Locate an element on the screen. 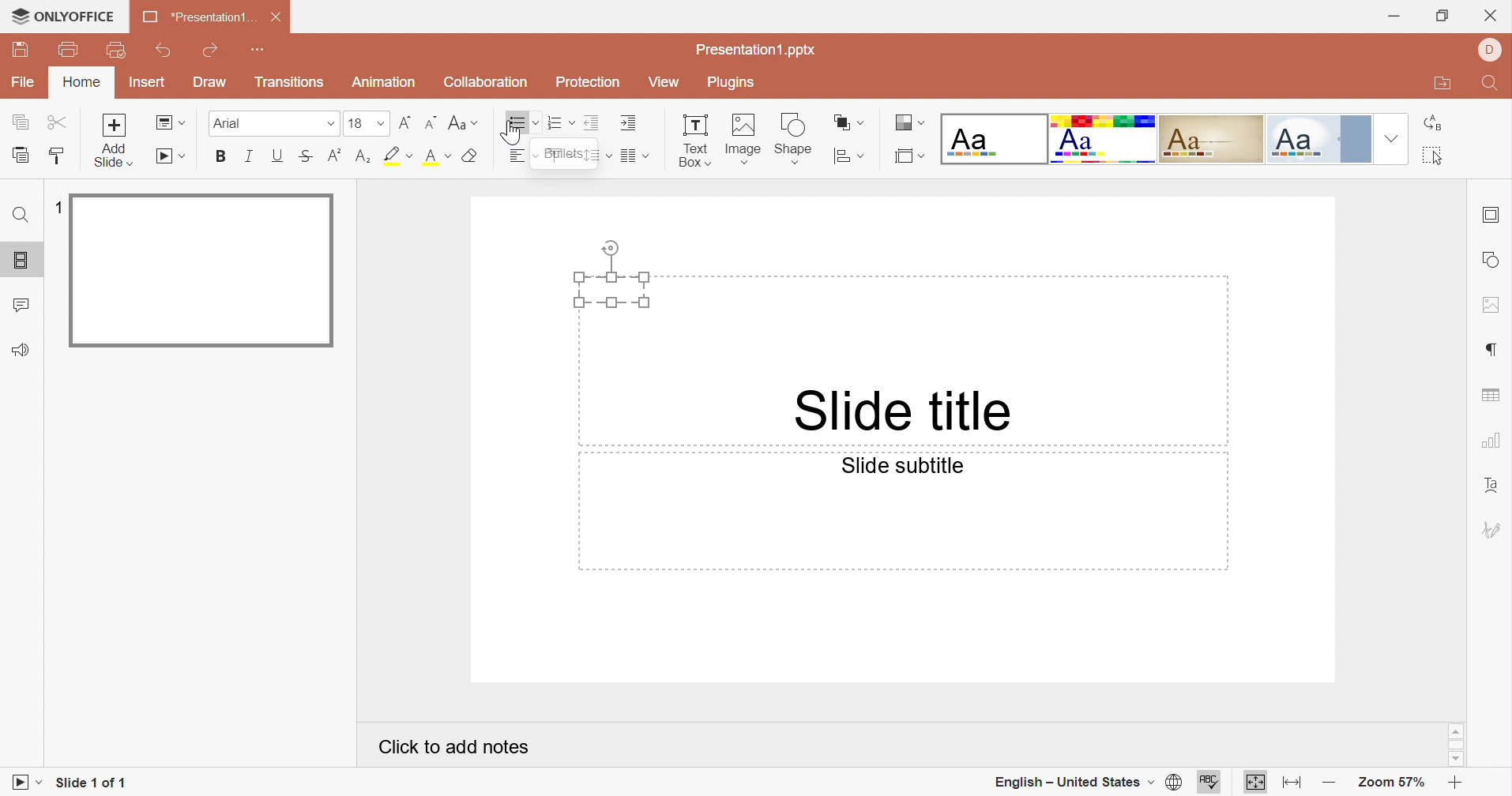 The width and height of the screenshot is (1512, 796). English - United States is located at coordinates (1066, 780).